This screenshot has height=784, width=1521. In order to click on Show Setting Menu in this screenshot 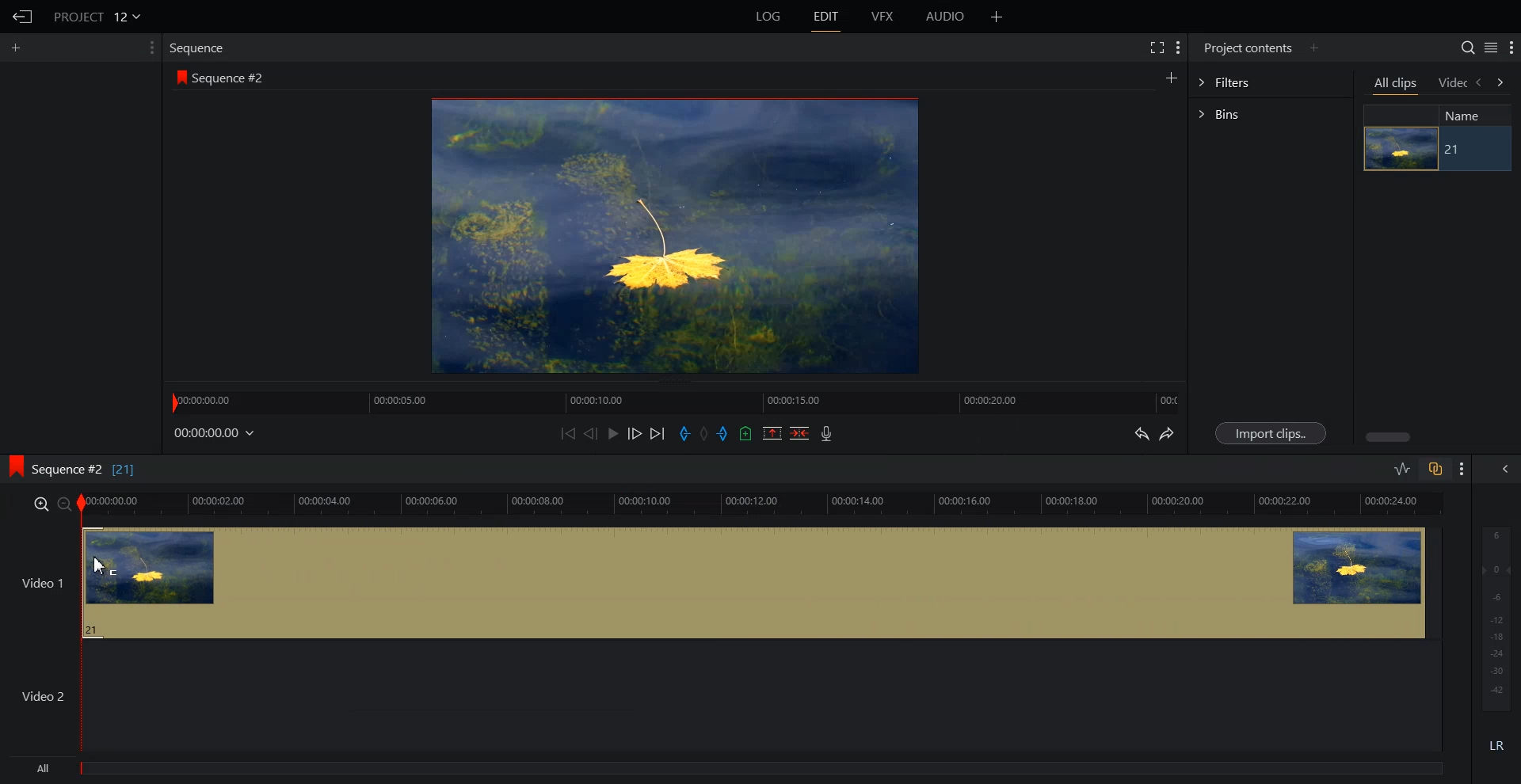, I will do `click(1511, 48)`.